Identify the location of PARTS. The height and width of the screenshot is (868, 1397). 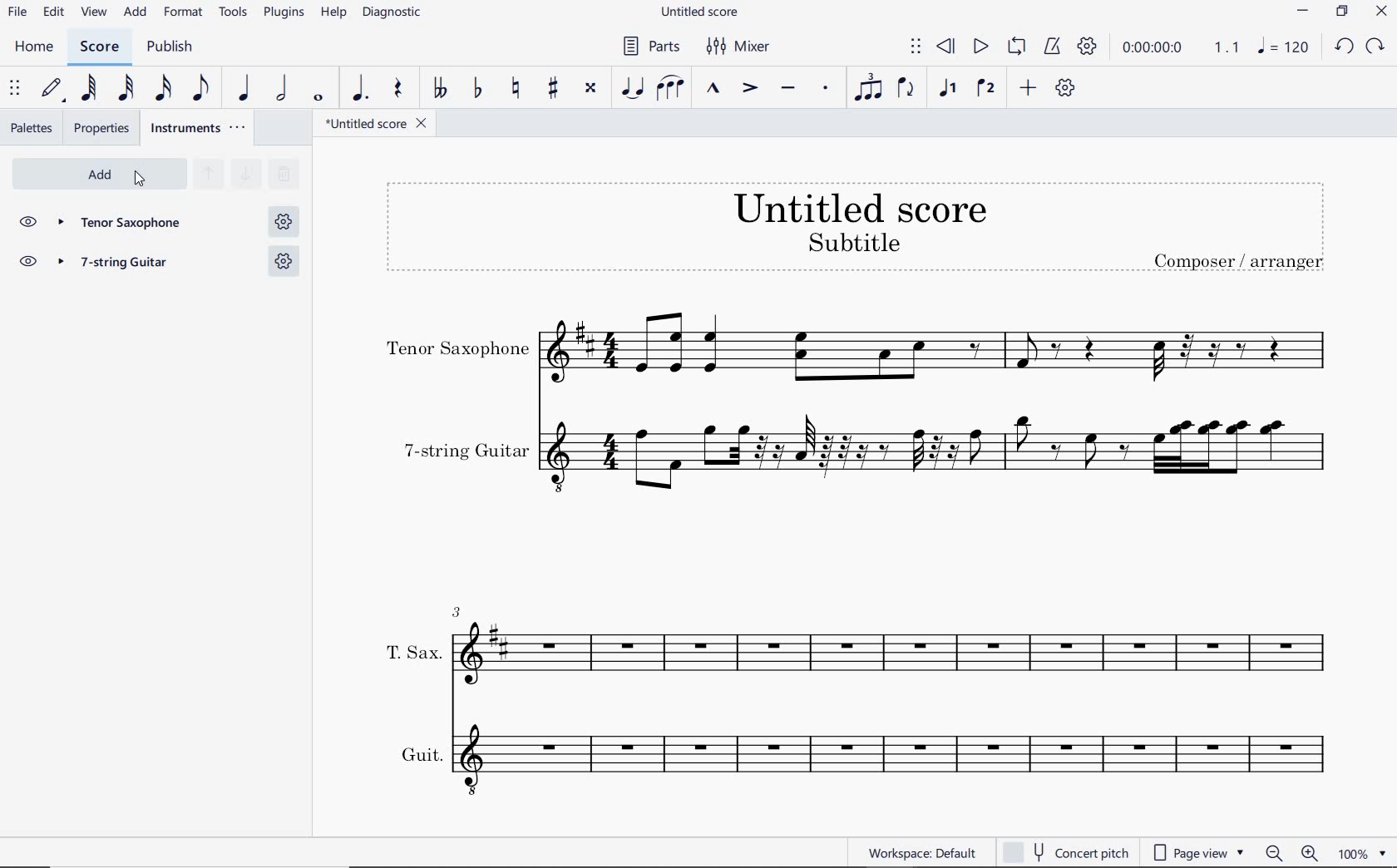
(648, 44).